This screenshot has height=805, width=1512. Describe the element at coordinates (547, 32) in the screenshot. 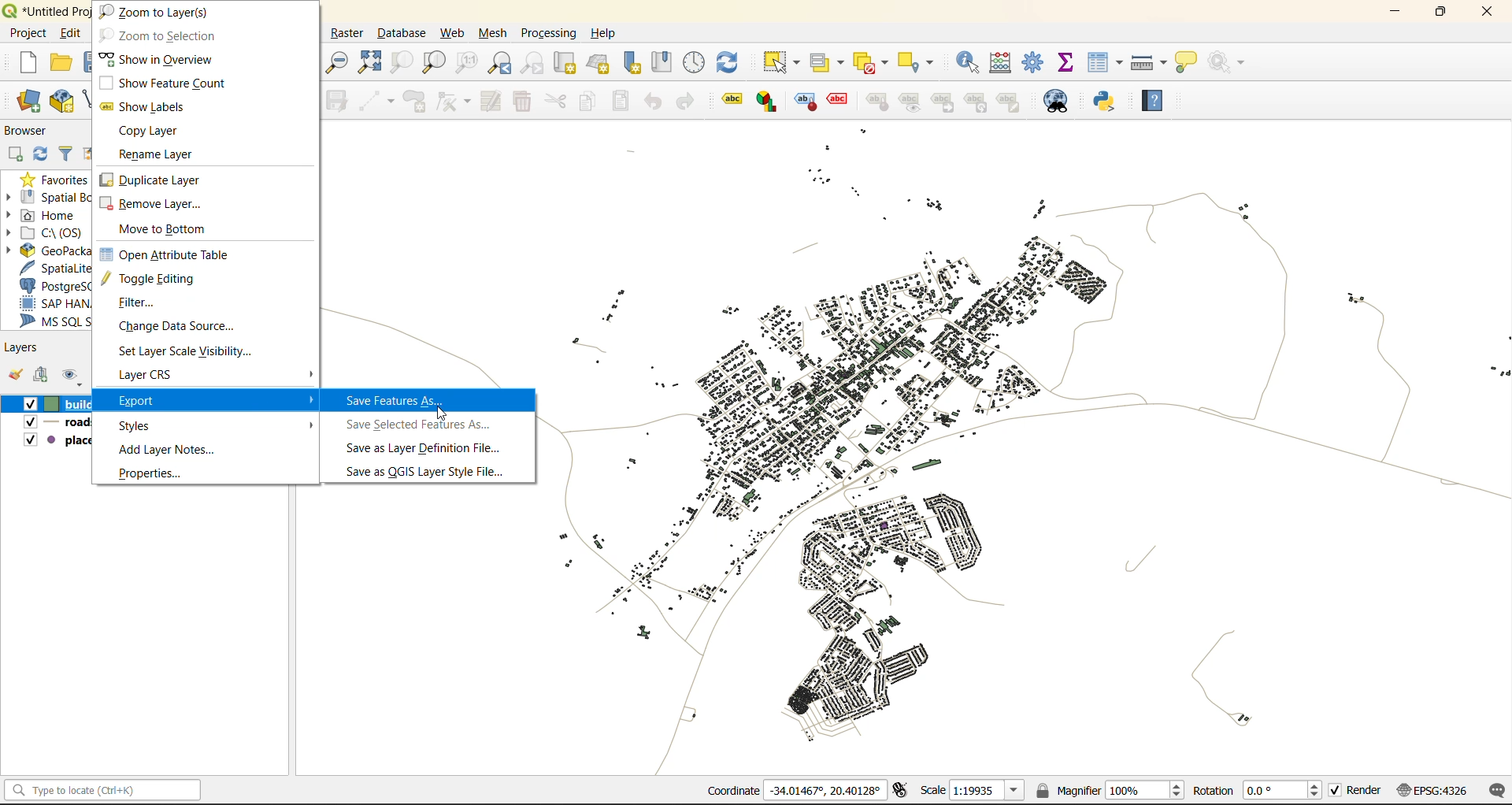

I see `processing` at that location.